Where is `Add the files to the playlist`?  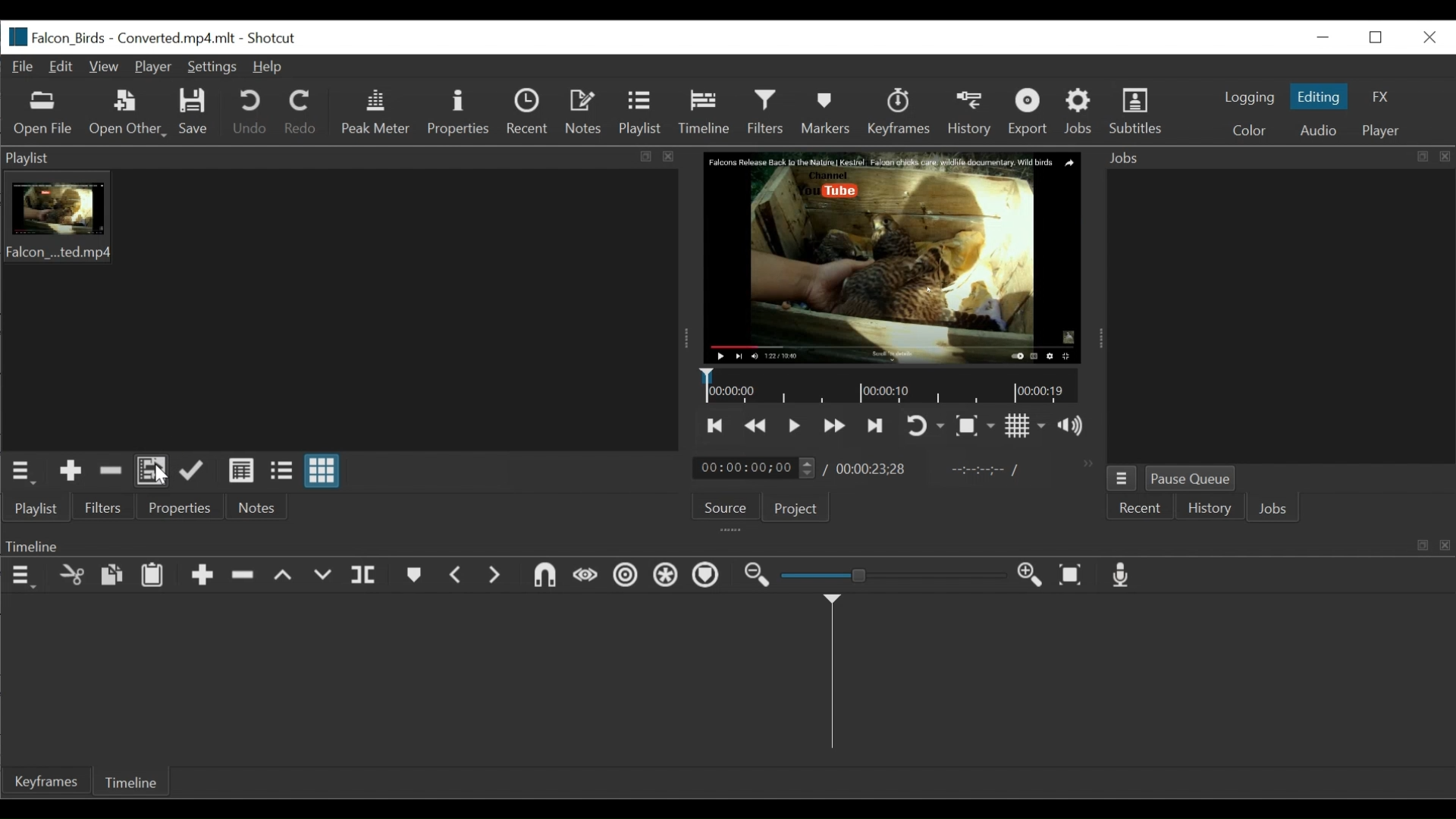 Add the files to the playlist is located at coordinates (151, 471).